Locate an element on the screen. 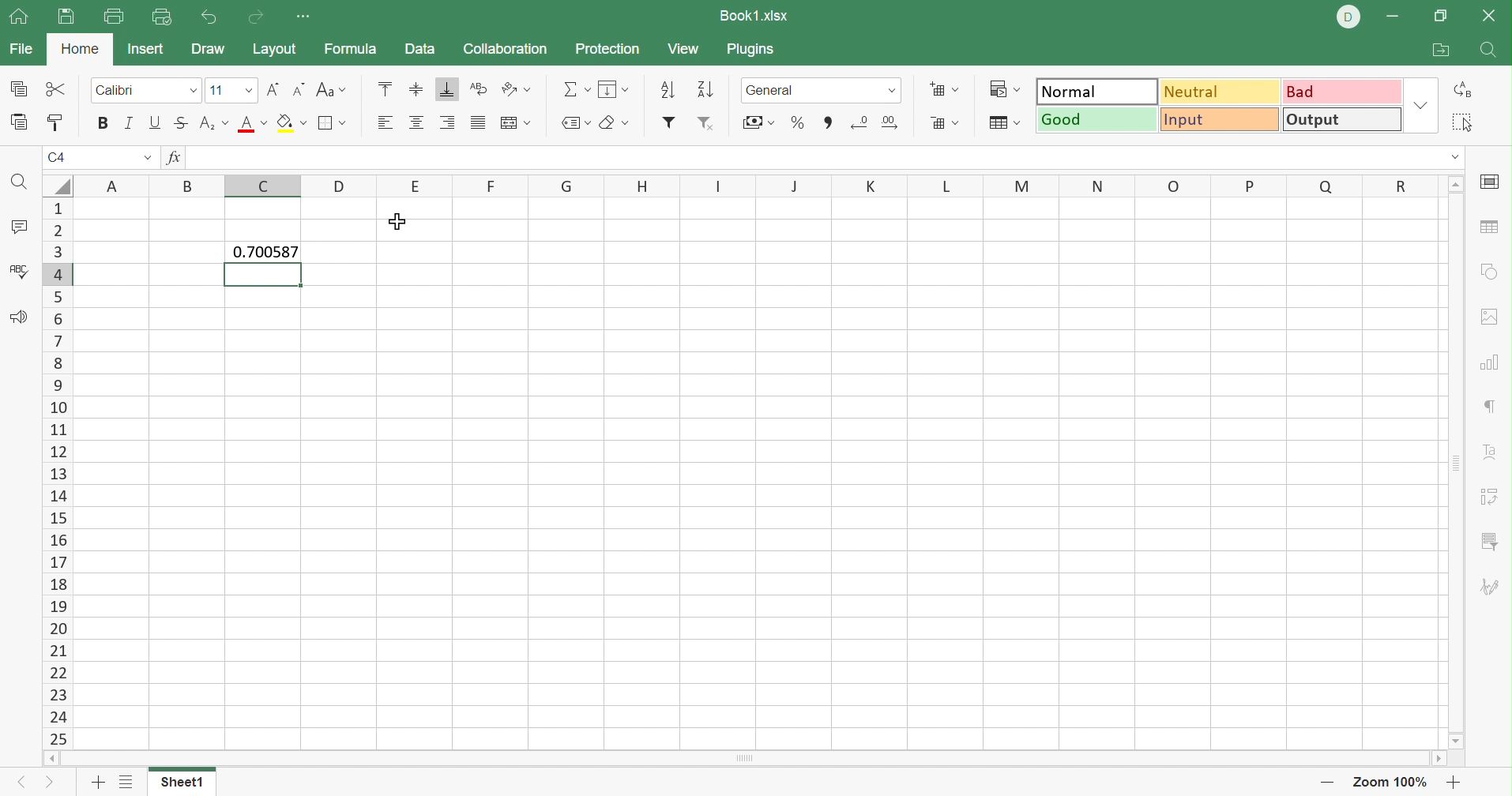  Conditional formatting is located at coordinates (1004, 90).